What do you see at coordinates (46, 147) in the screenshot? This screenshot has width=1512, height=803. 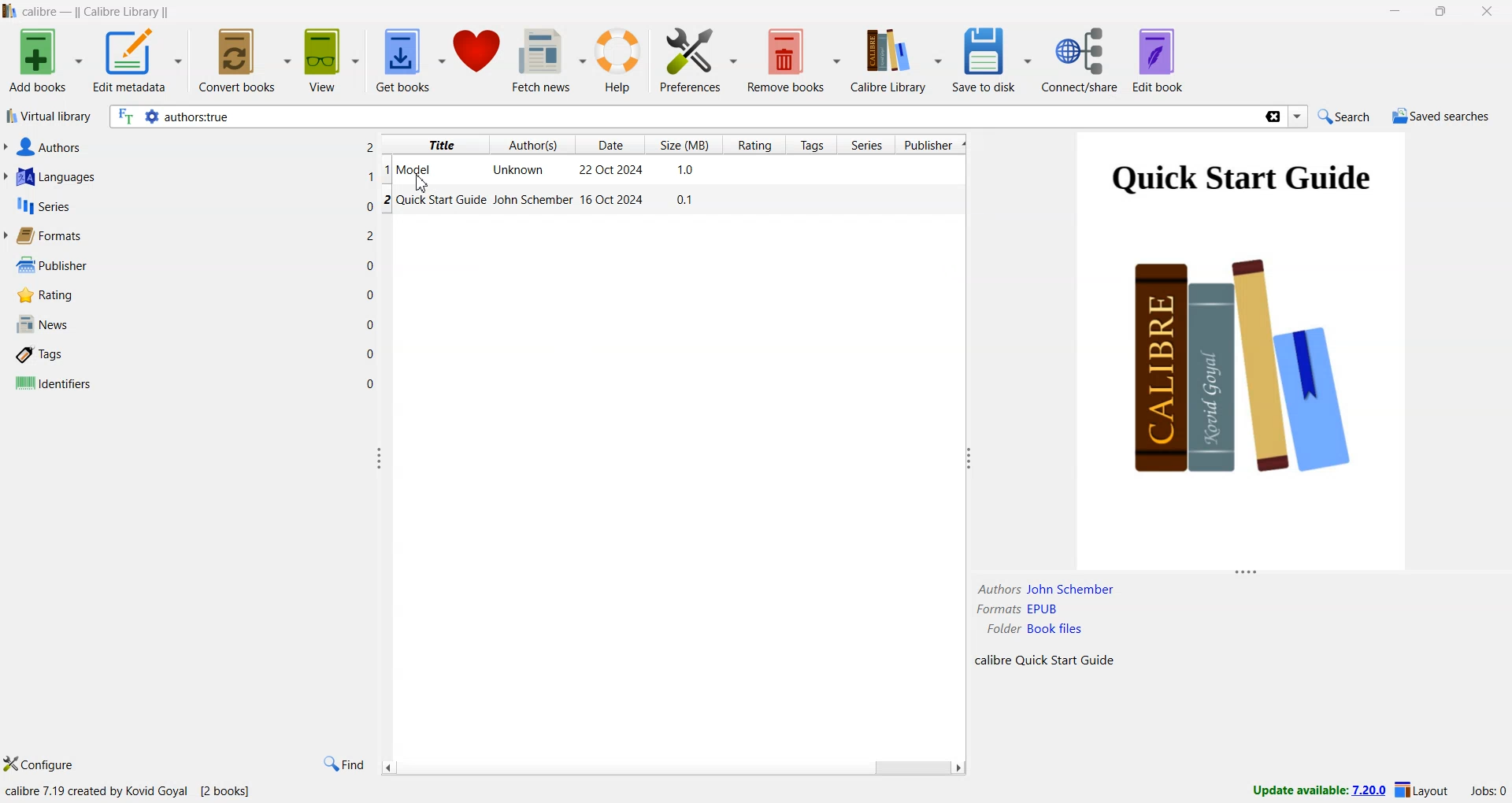 I see `authors` at bounding box center [46, 147].